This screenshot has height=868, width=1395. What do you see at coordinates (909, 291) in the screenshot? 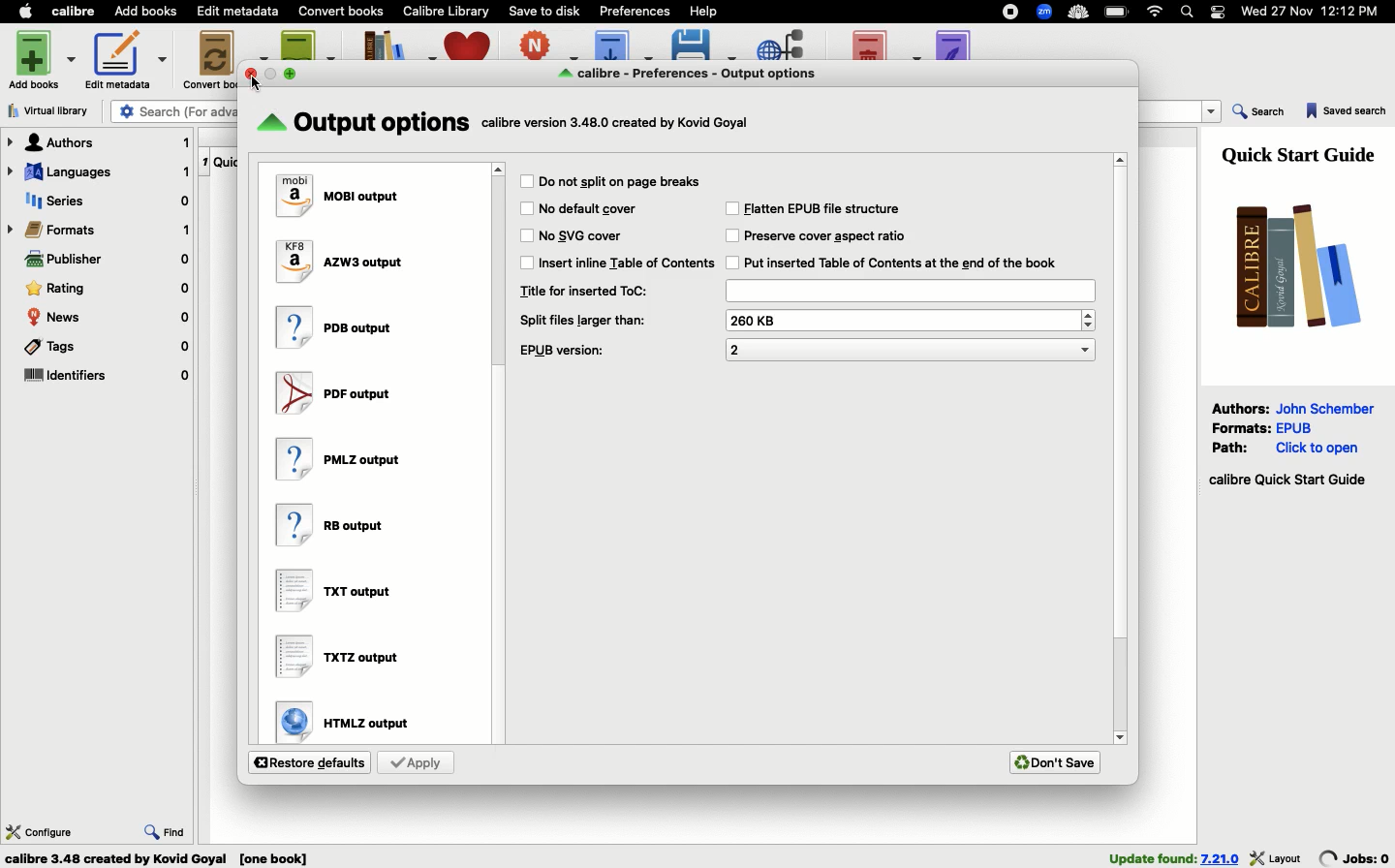
I see `Title` at bounding box center [909, 291].